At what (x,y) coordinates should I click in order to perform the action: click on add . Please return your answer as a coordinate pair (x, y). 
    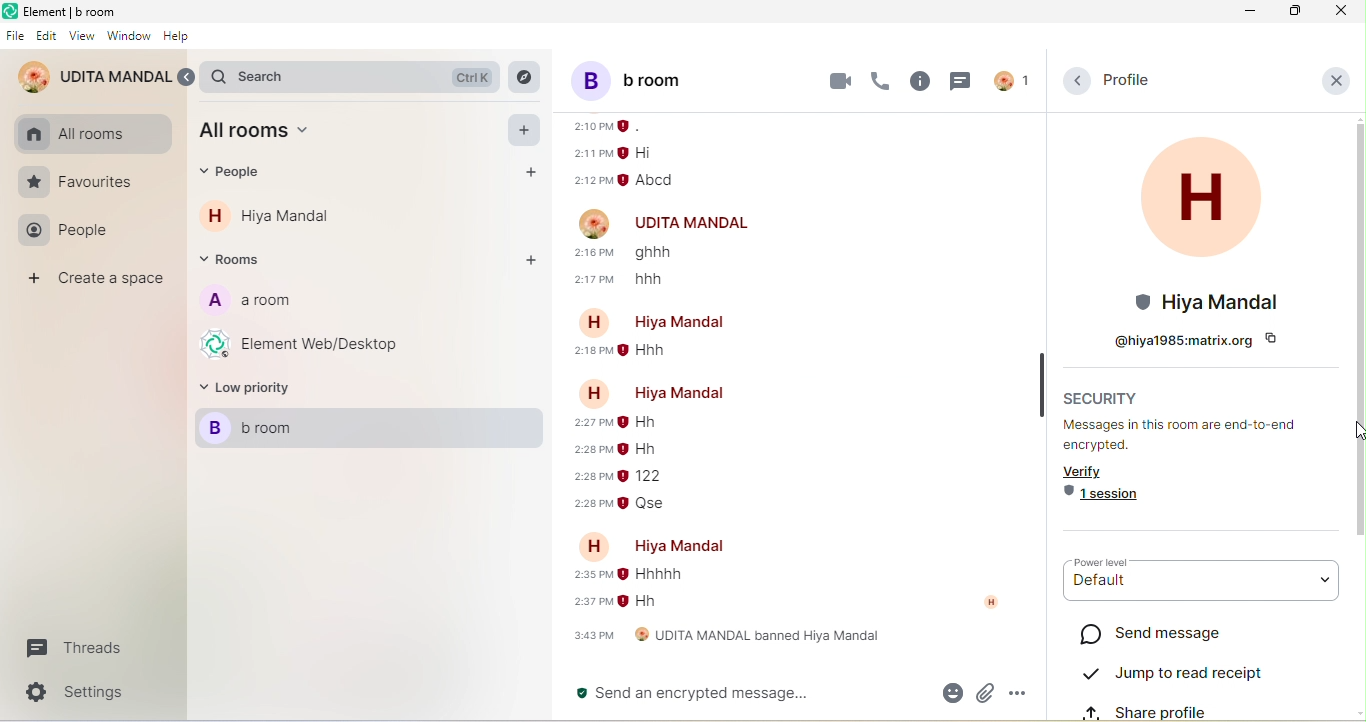
    Looking at the image, I should click on (527, 130).